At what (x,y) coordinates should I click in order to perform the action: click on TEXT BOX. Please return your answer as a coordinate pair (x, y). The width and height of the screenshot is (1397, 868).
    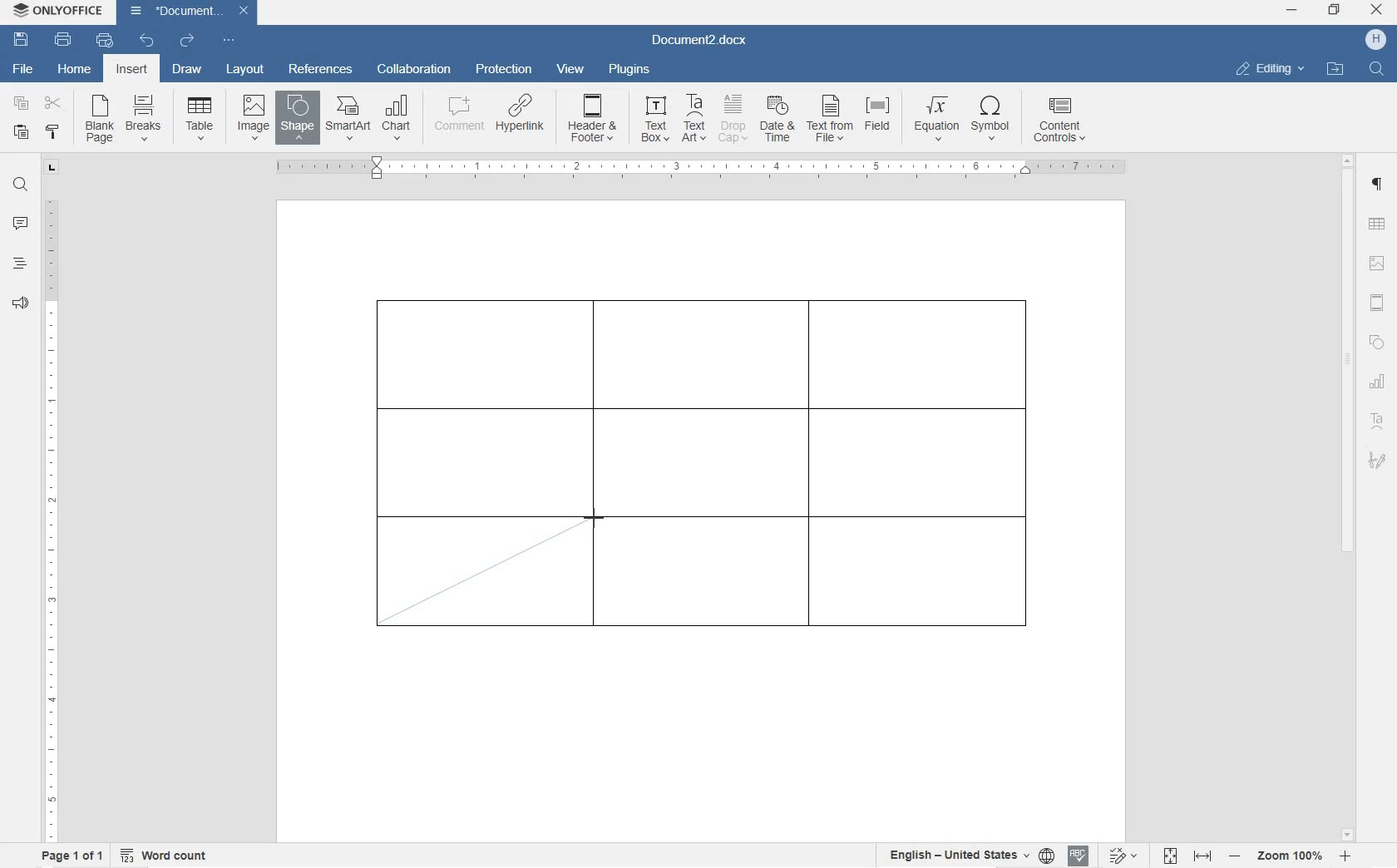
    Looking at the image, I should click on (653, 121).